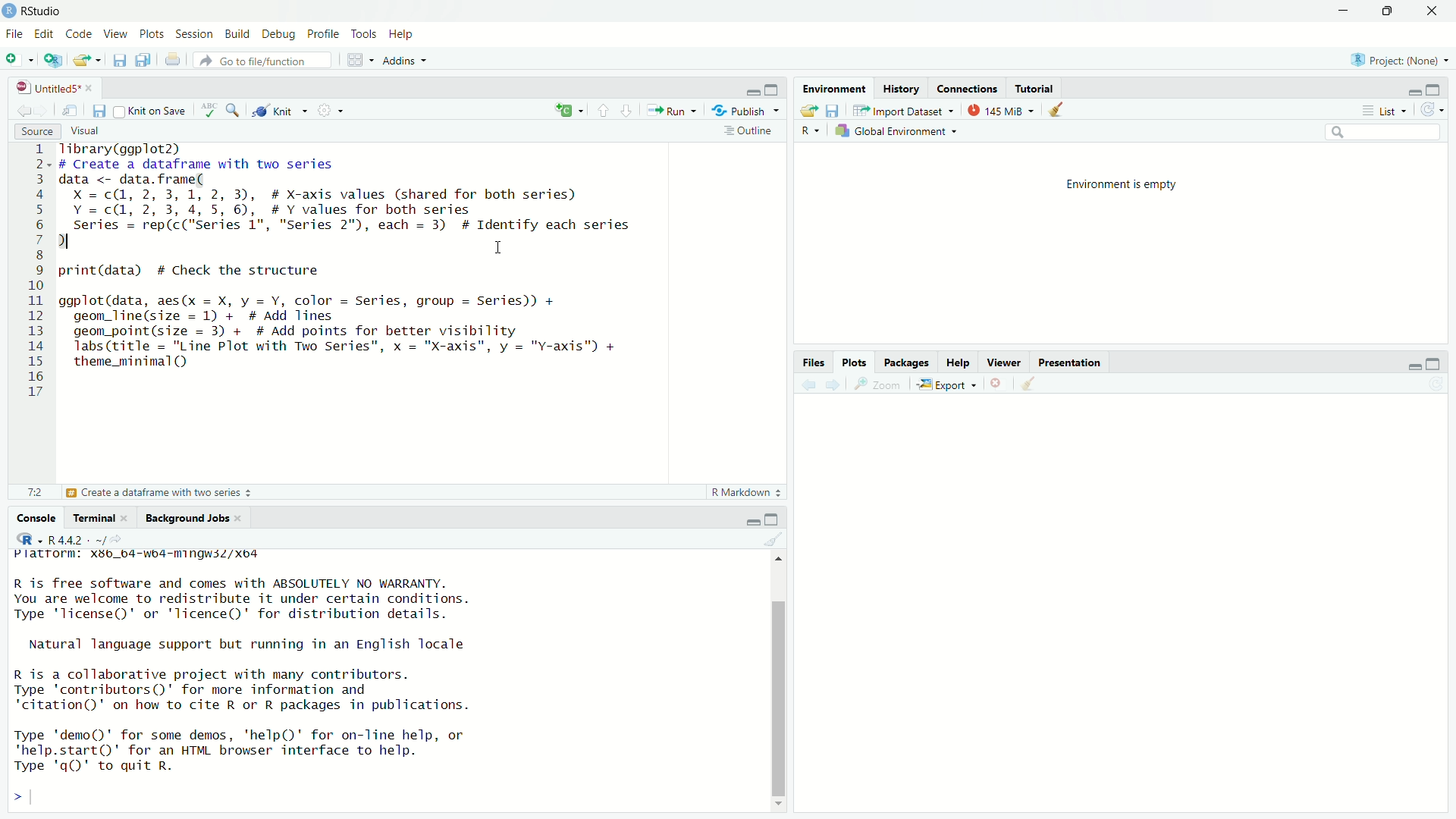 This screenshot has height=819, width=1456. Describe the element at coordinates (152, 112) in the screenshot. I see `Knit on save` at that location.